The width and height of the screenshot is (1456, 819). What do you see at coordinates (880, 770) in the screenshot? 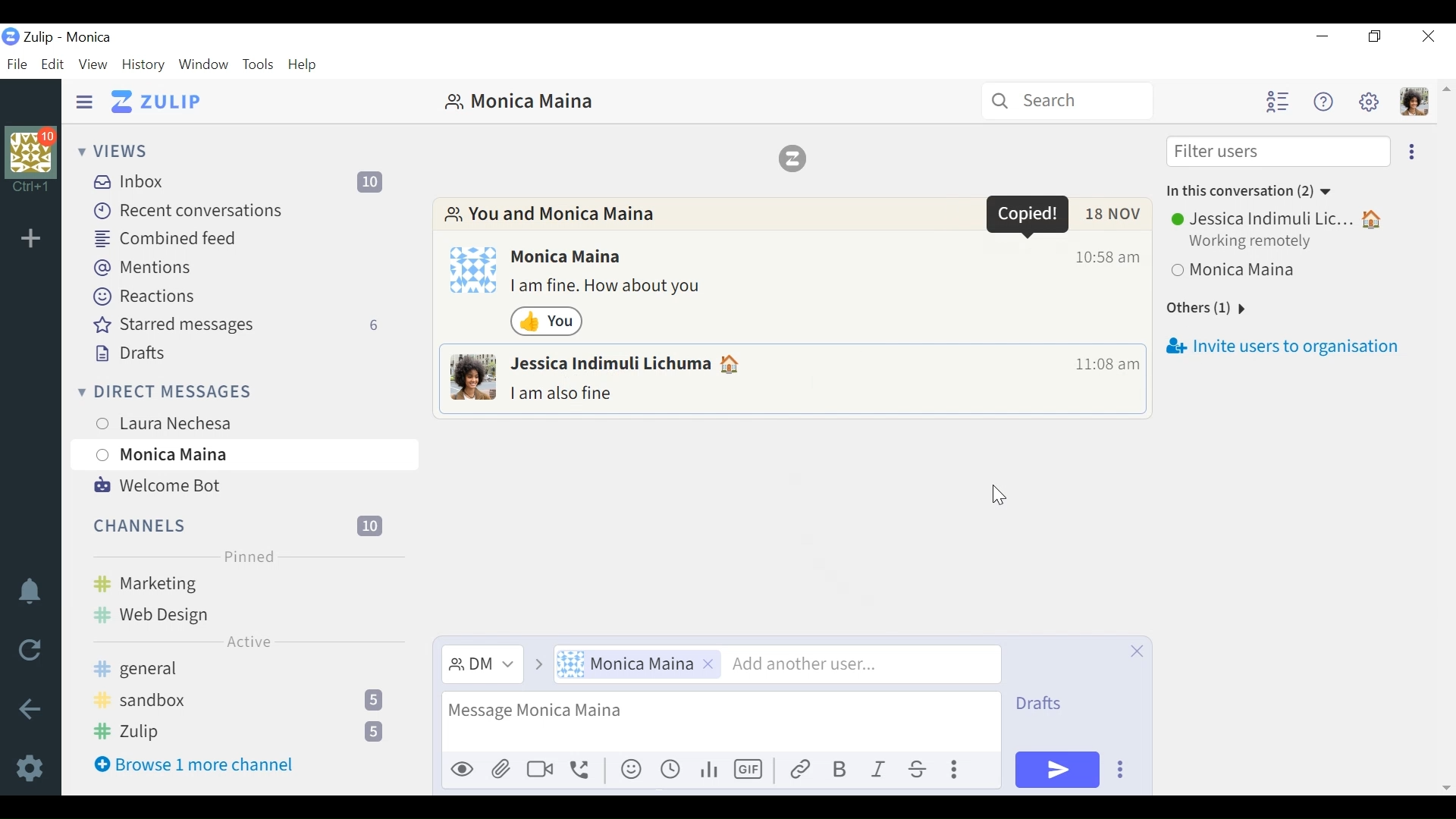
I see `Italics` at bounding box center [880, 770].